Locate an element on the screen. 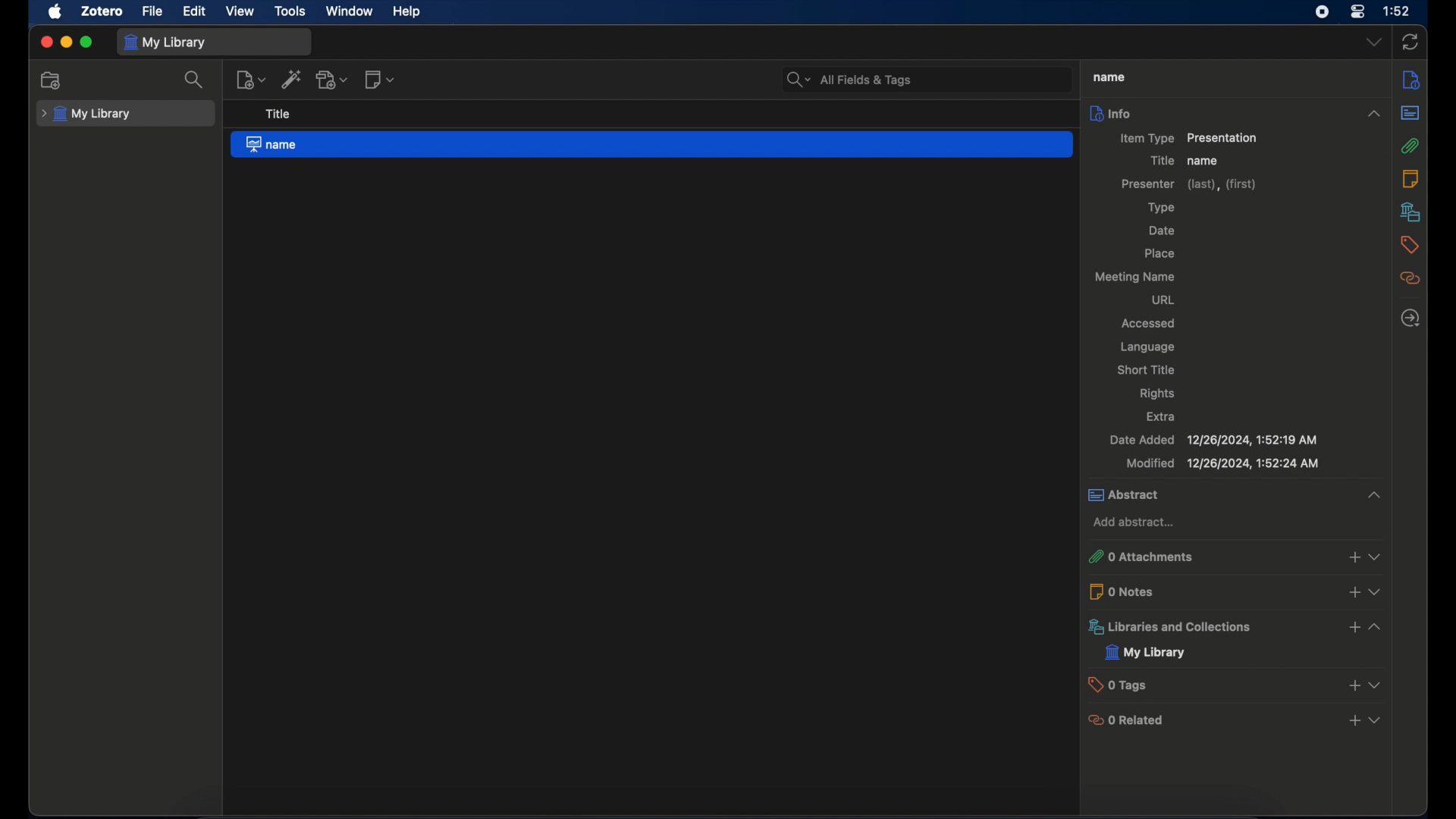 This screenshot has height=819, width=1456. add attachment is located at coordinates (333, 79).